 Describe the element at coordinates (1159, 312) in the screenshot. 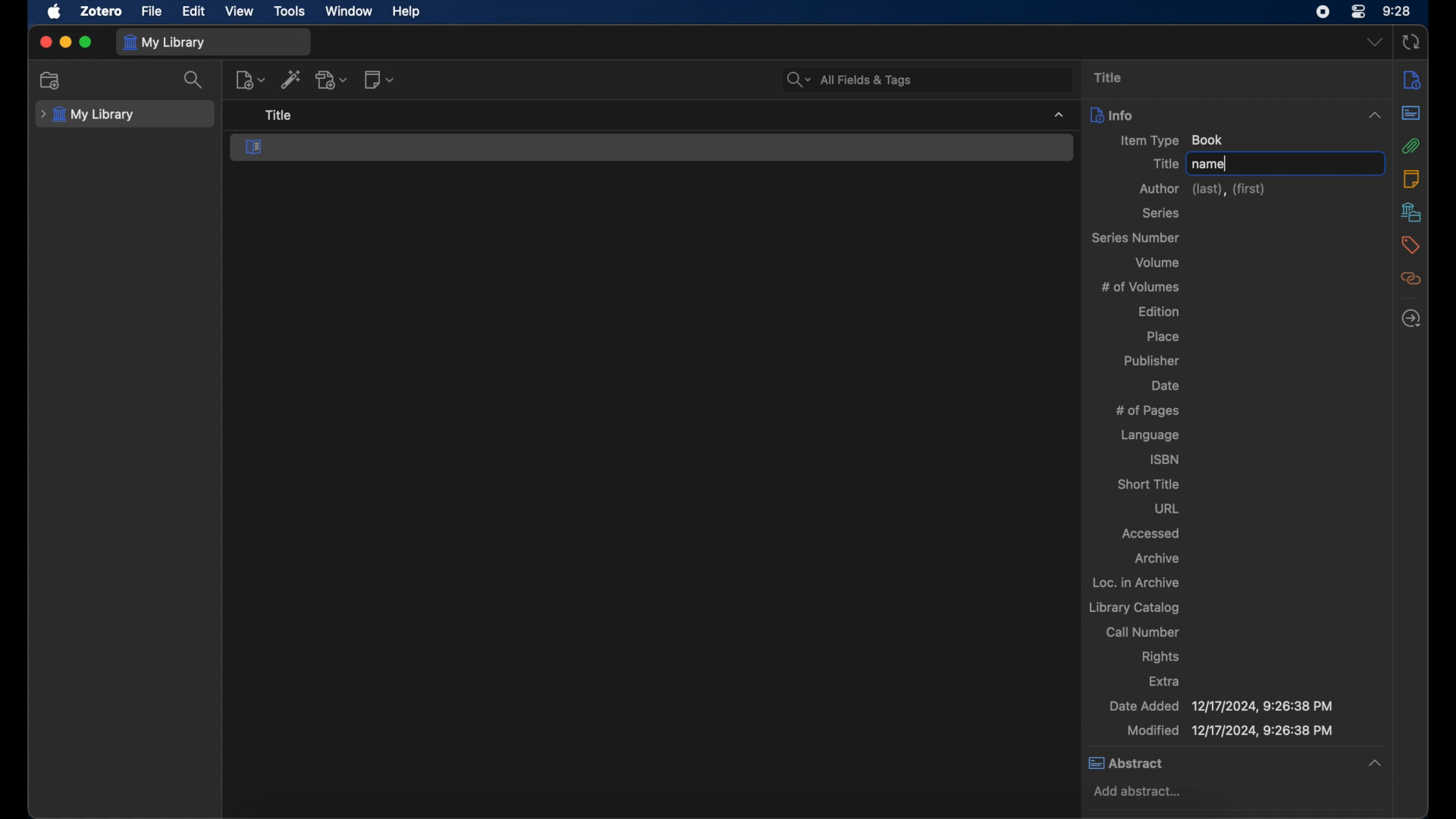

I see `edition` at that location.